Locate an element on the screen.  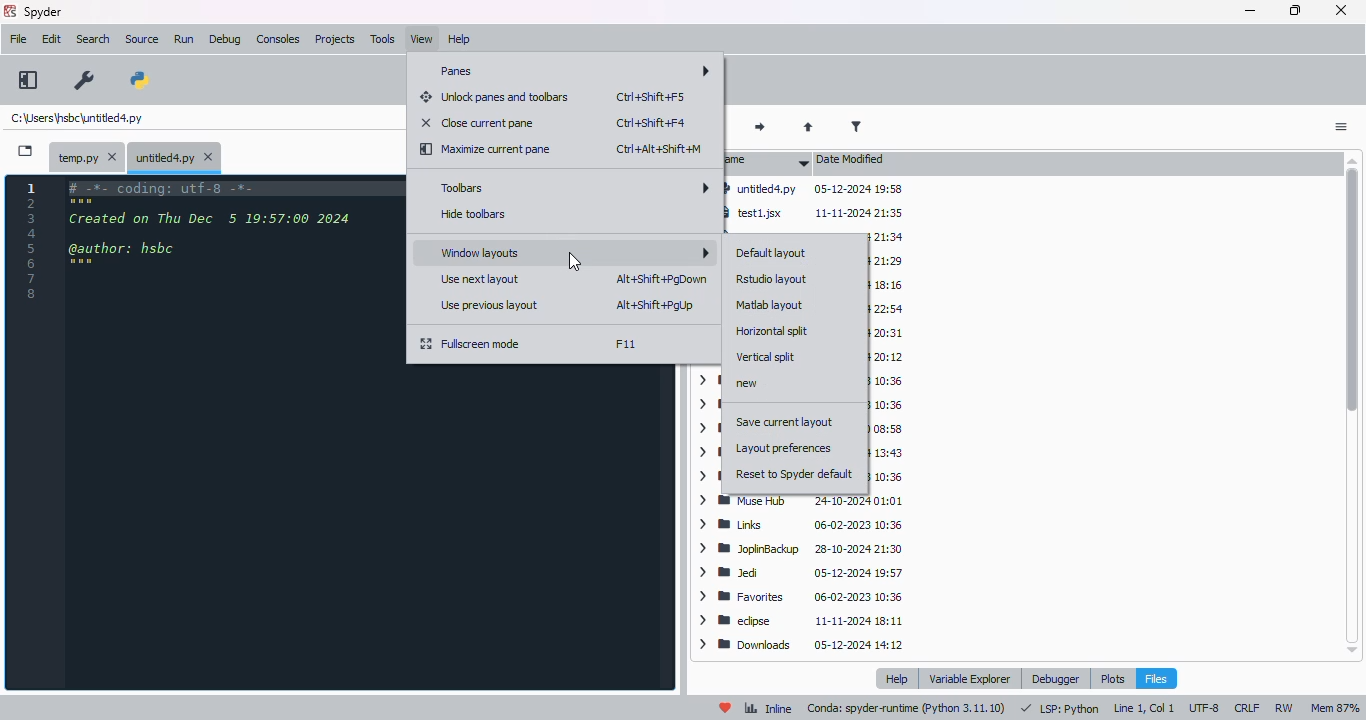
default layout is located at coordinates (772, 254).